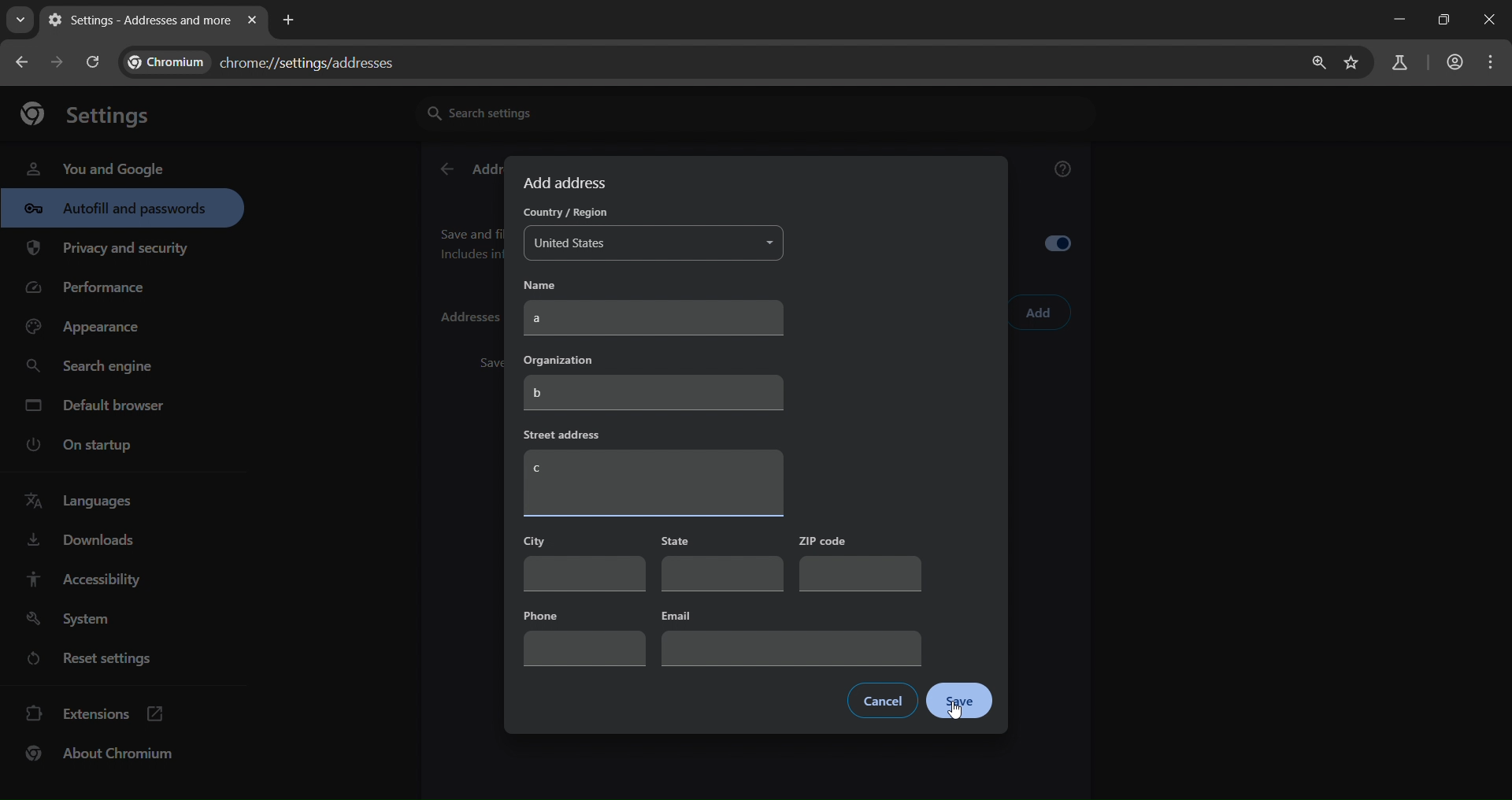 The image size is (1512, 800). I want to click on reload, so click(91, 61).